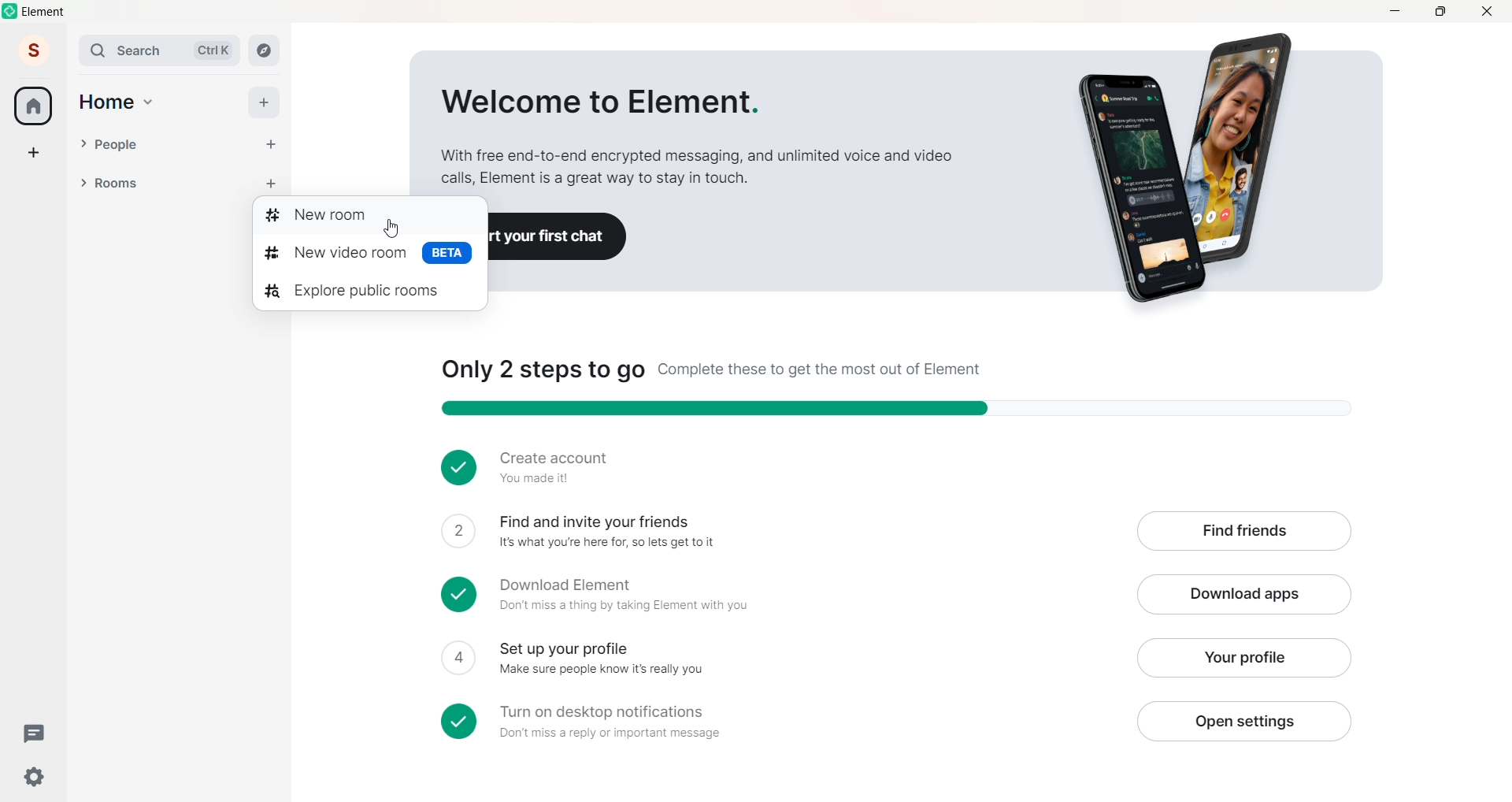 Image resolution: width=1512 pixels, height=802 pixels. I want to click on Threads, so click(37, 734).